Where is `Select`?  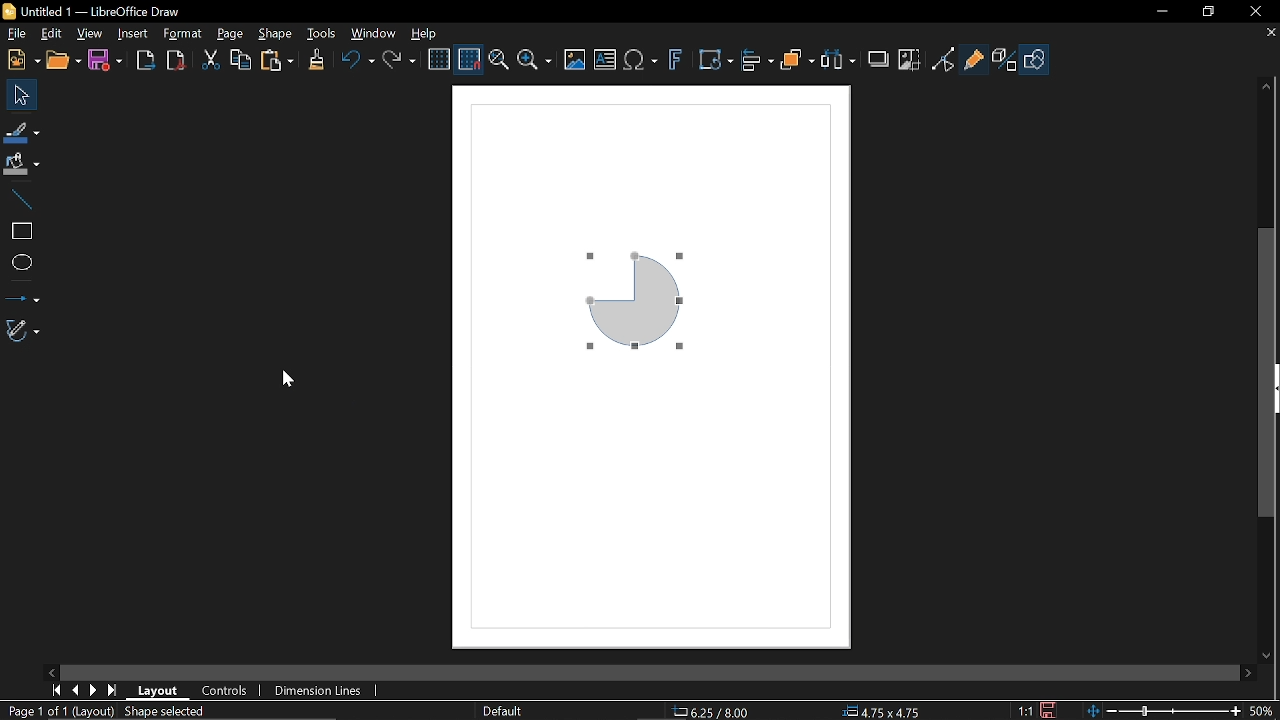 Select is located at coordinates (22, 96).